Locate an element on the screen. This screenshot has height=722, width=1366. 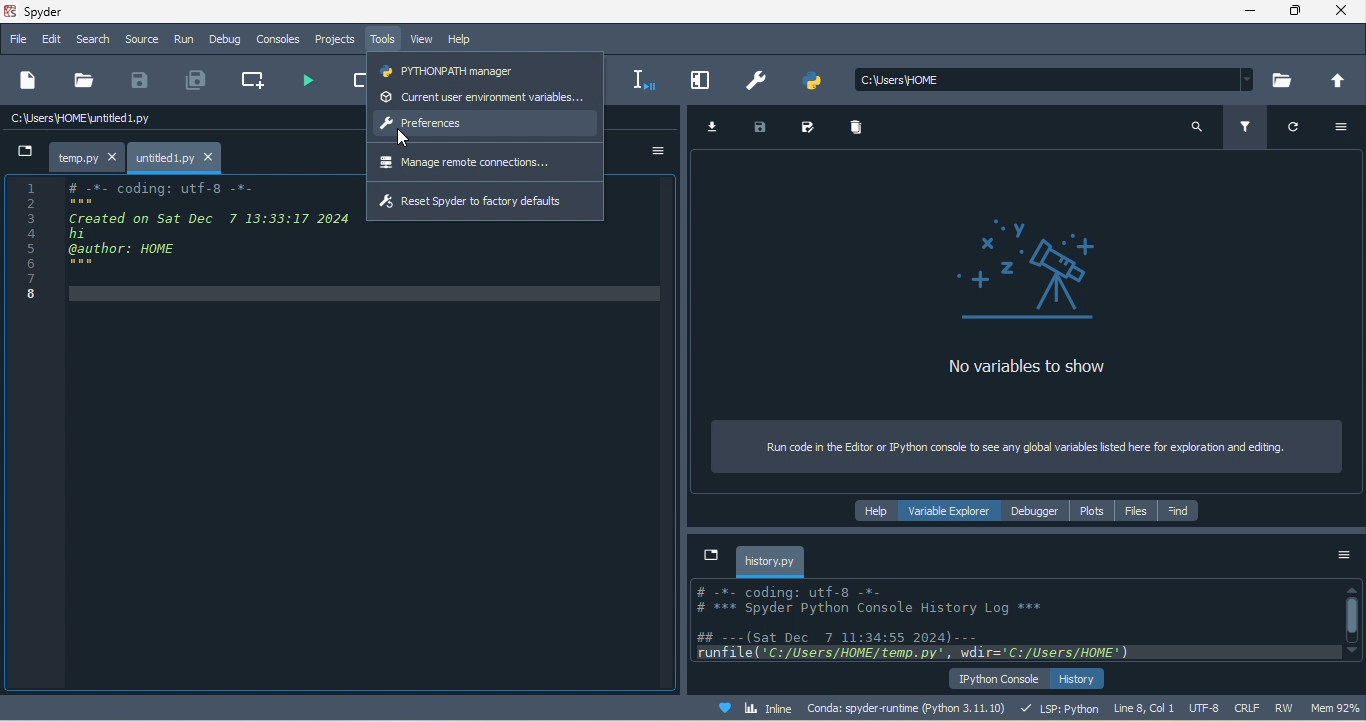
save as is located at coordinates (815, 127).